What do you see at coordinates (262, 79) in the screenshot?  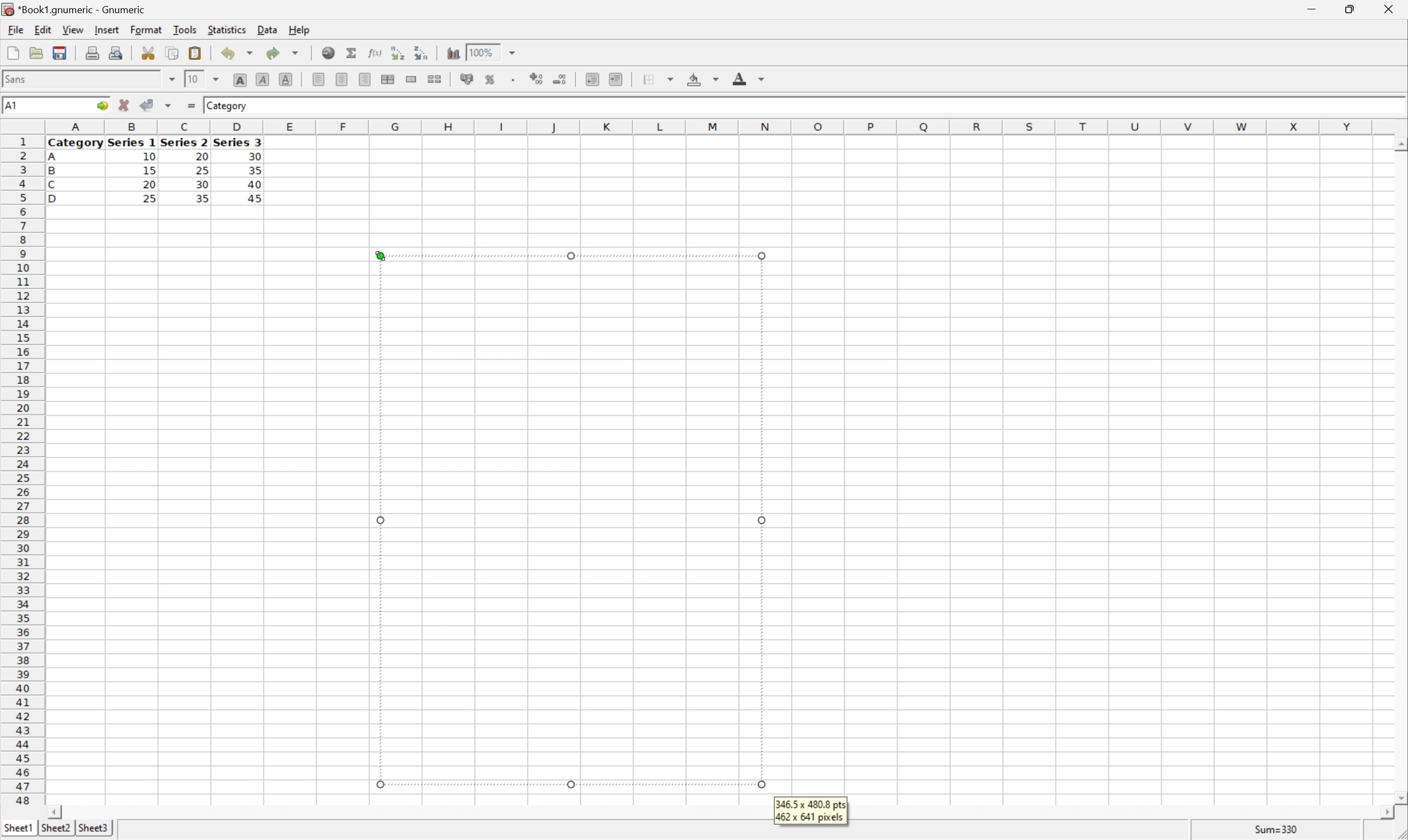 I see `Italic` at bounding box center [262, 79].